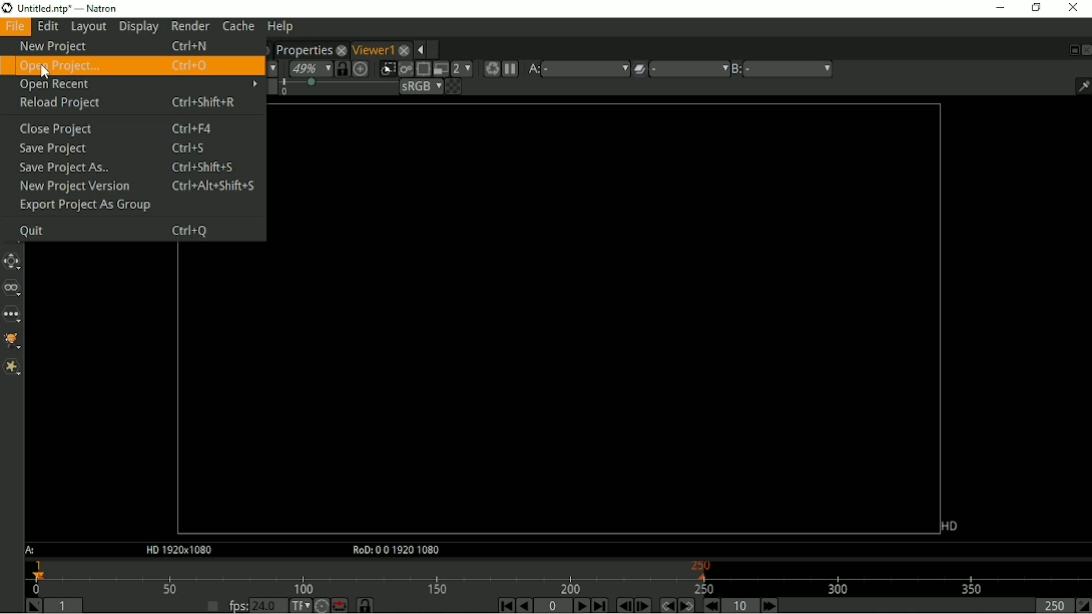  Describe the element at coordinates (268, 605) in the screenshot. I see `24` at that location.